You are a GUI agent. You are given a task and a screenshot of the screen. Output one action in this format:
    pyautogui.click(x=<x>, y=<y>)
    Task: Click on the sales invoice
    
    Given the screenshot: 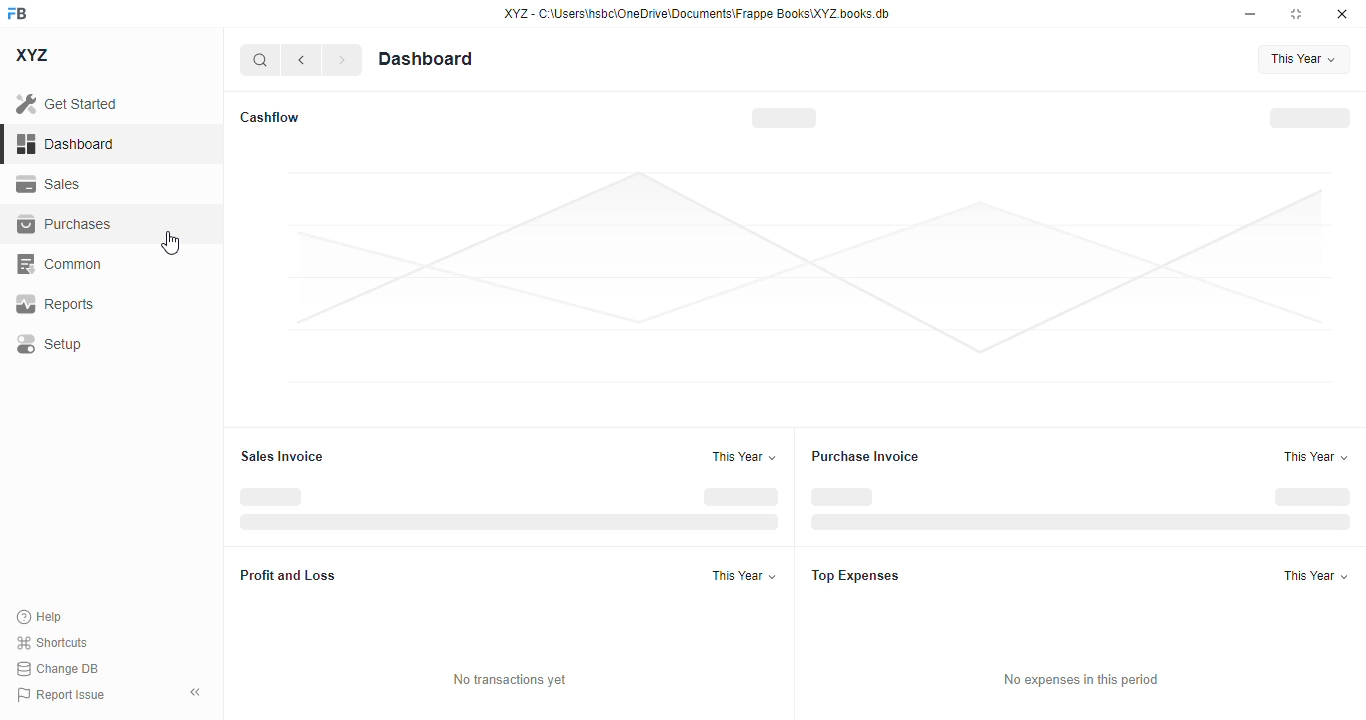 What is the action you would take?
    pyautogui.click(x=281, y=456)
    